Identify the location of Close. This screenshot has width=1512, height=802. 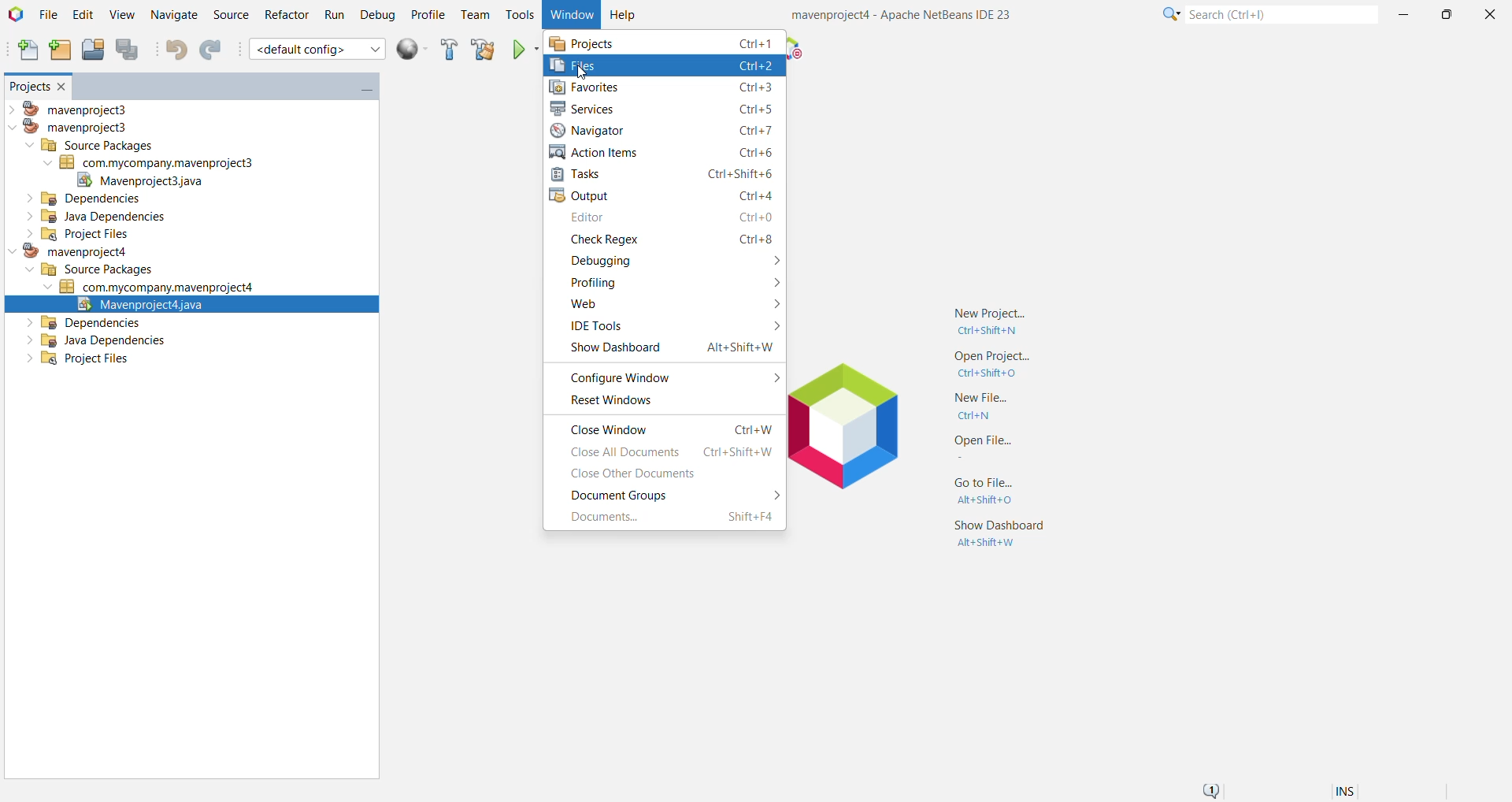
(1489, 13).